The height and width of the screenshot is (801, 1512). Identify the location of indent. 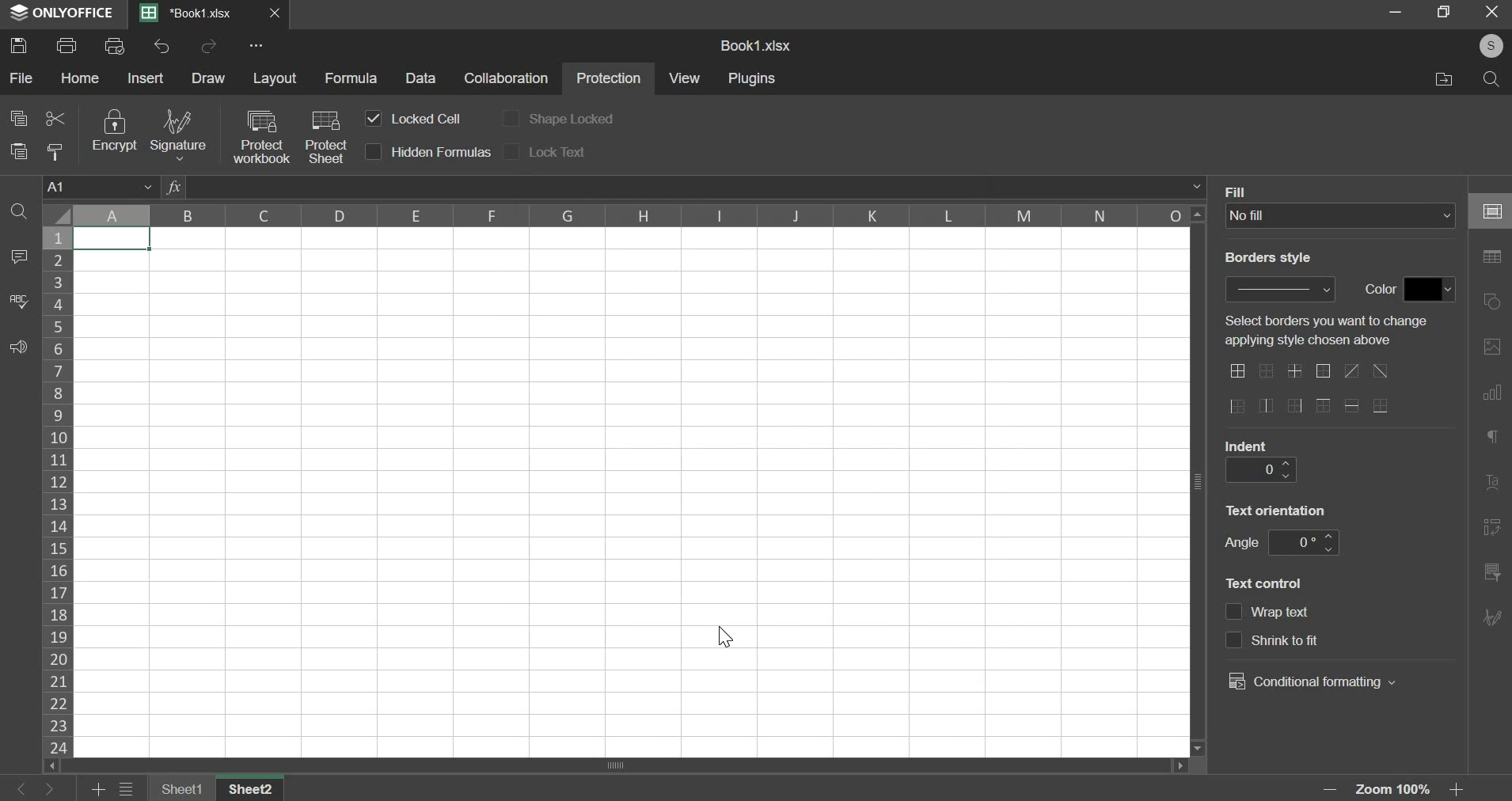
(1246, 445).